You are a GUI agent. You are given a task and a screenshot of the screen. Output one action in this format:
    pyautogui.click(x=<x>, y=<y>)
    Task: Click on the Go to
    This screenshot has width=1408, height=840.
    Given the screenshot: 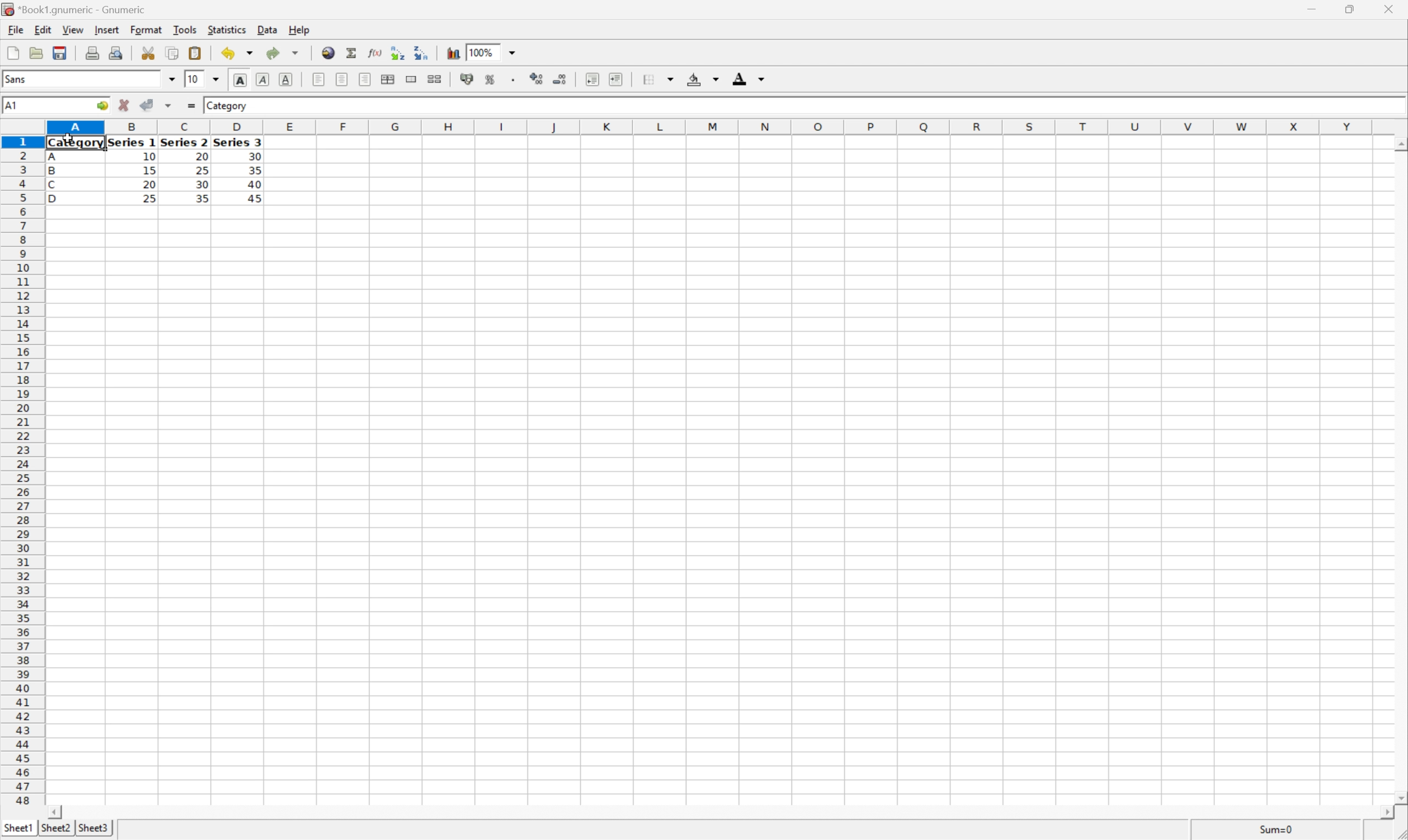 What is the action you would take?
    pyautogui.click(x=100, y=105)
    